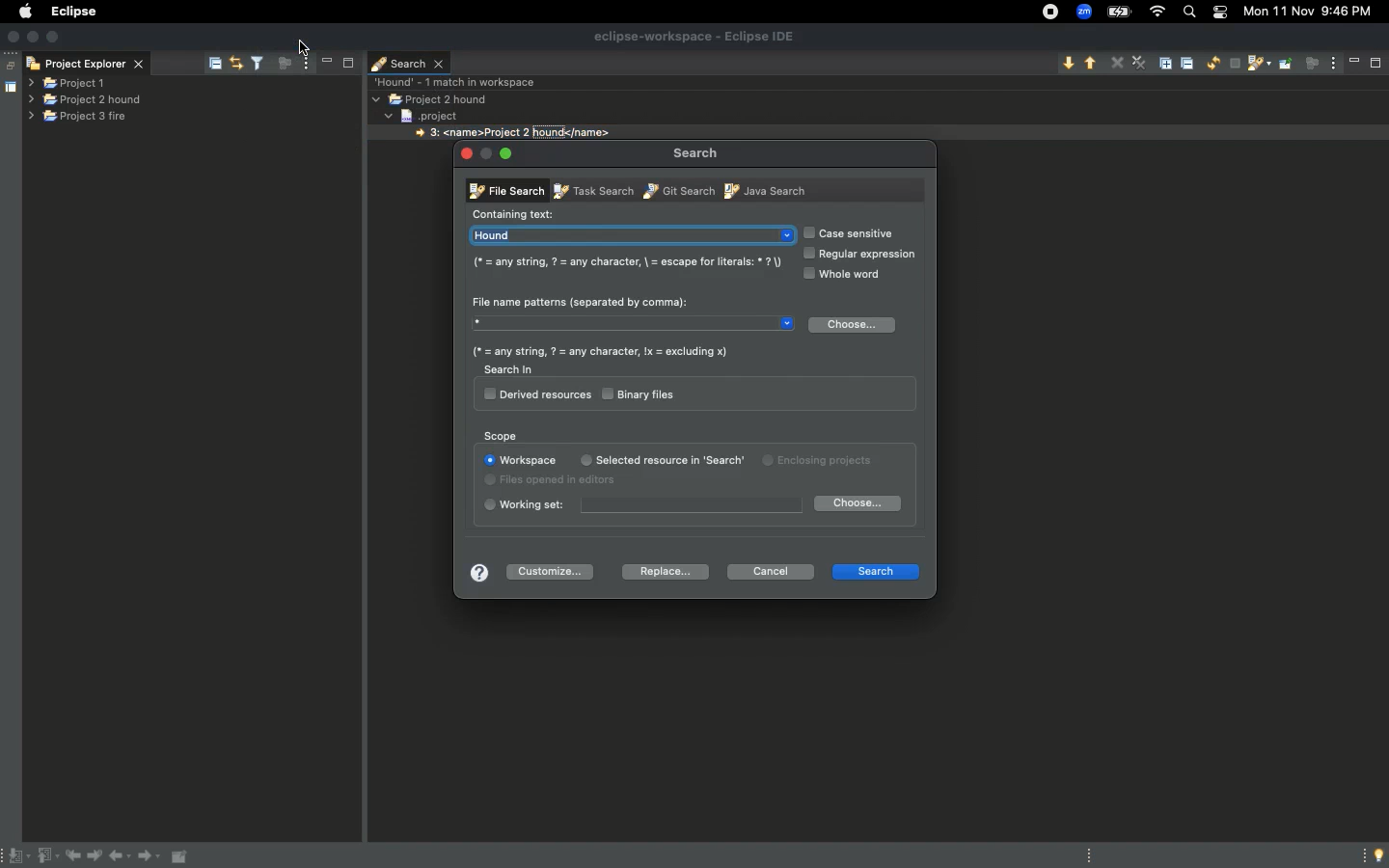 This screenshot has width=1389, height=868. I want to click on Expand all, so click(1169, 62).